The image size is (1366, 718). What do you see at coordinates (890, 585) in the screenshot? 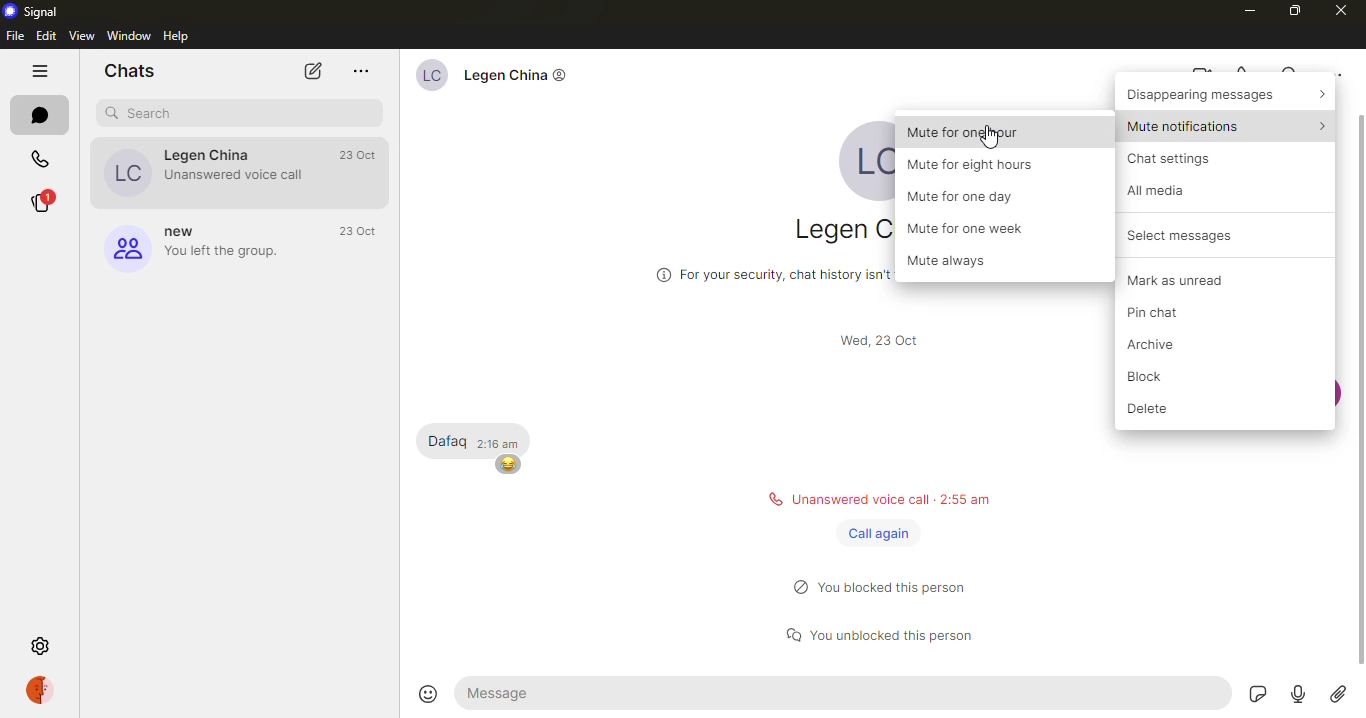
I see `status message` at bounding box center [890, 585].